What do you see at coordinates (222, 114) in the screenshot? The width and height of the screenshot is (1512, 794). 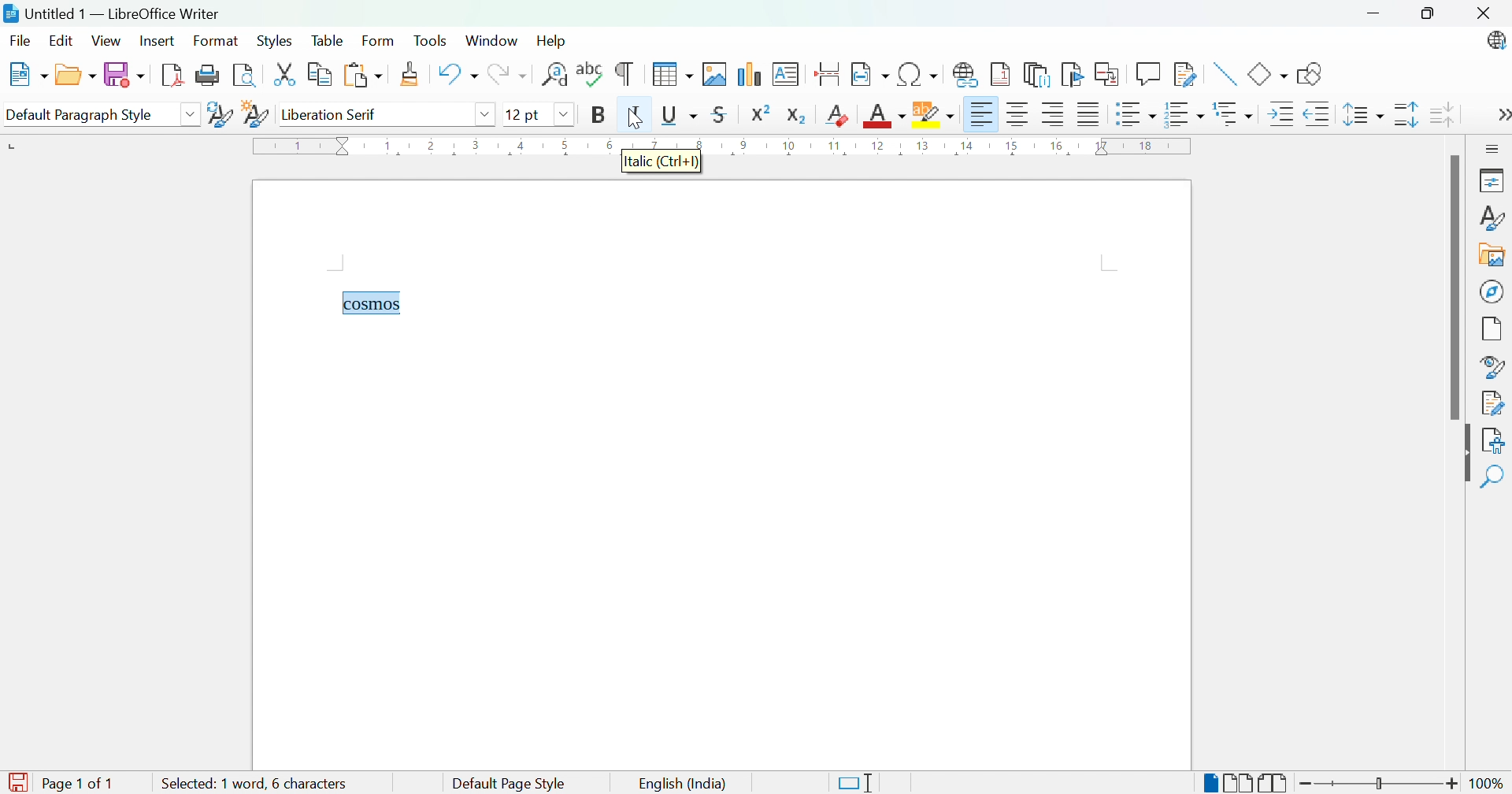 I see `Update selected style` at bounding box center [222, 114].